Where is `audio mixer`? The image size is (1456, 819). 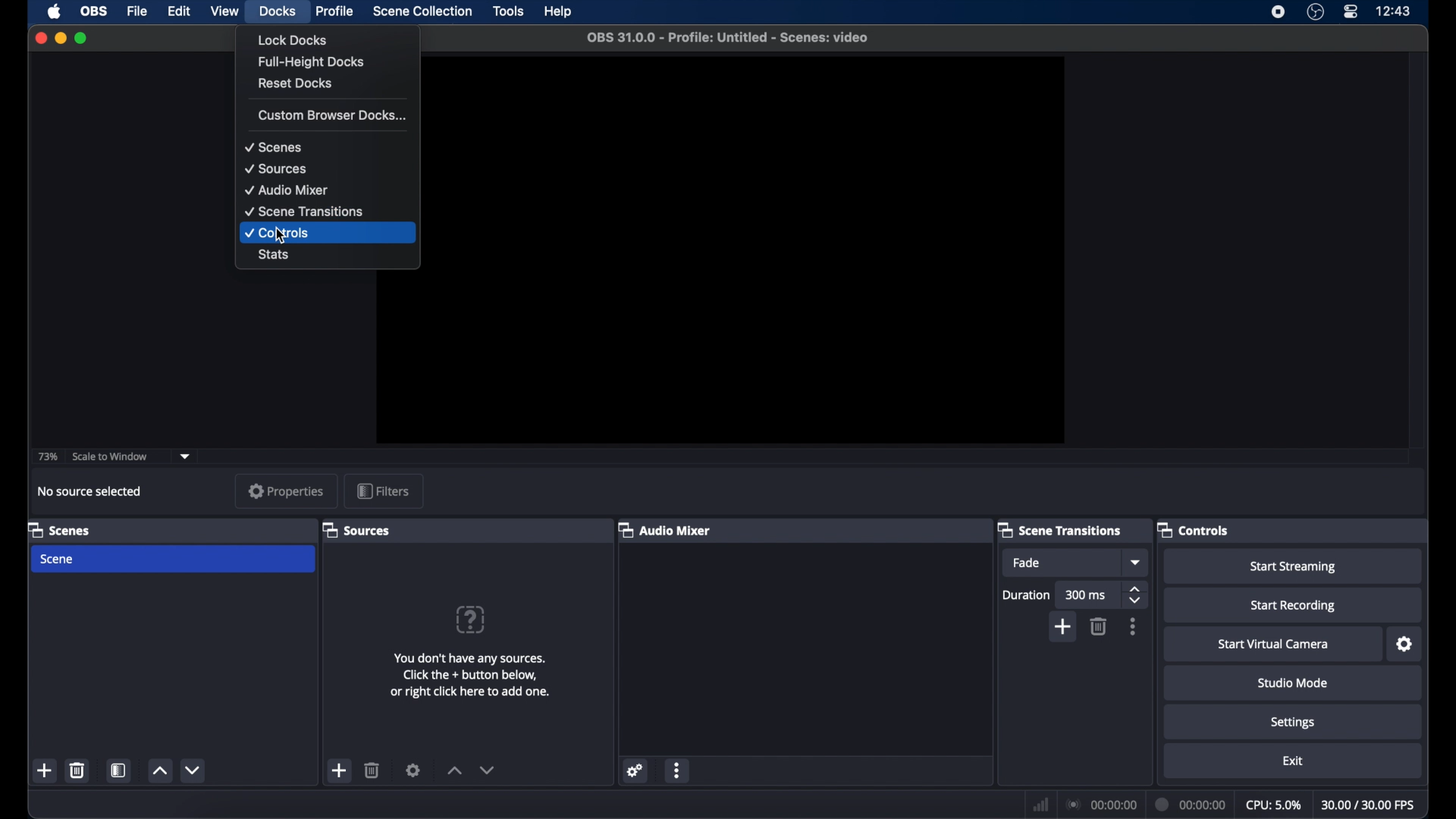 audio mixer is located at coordinates (287, 190).